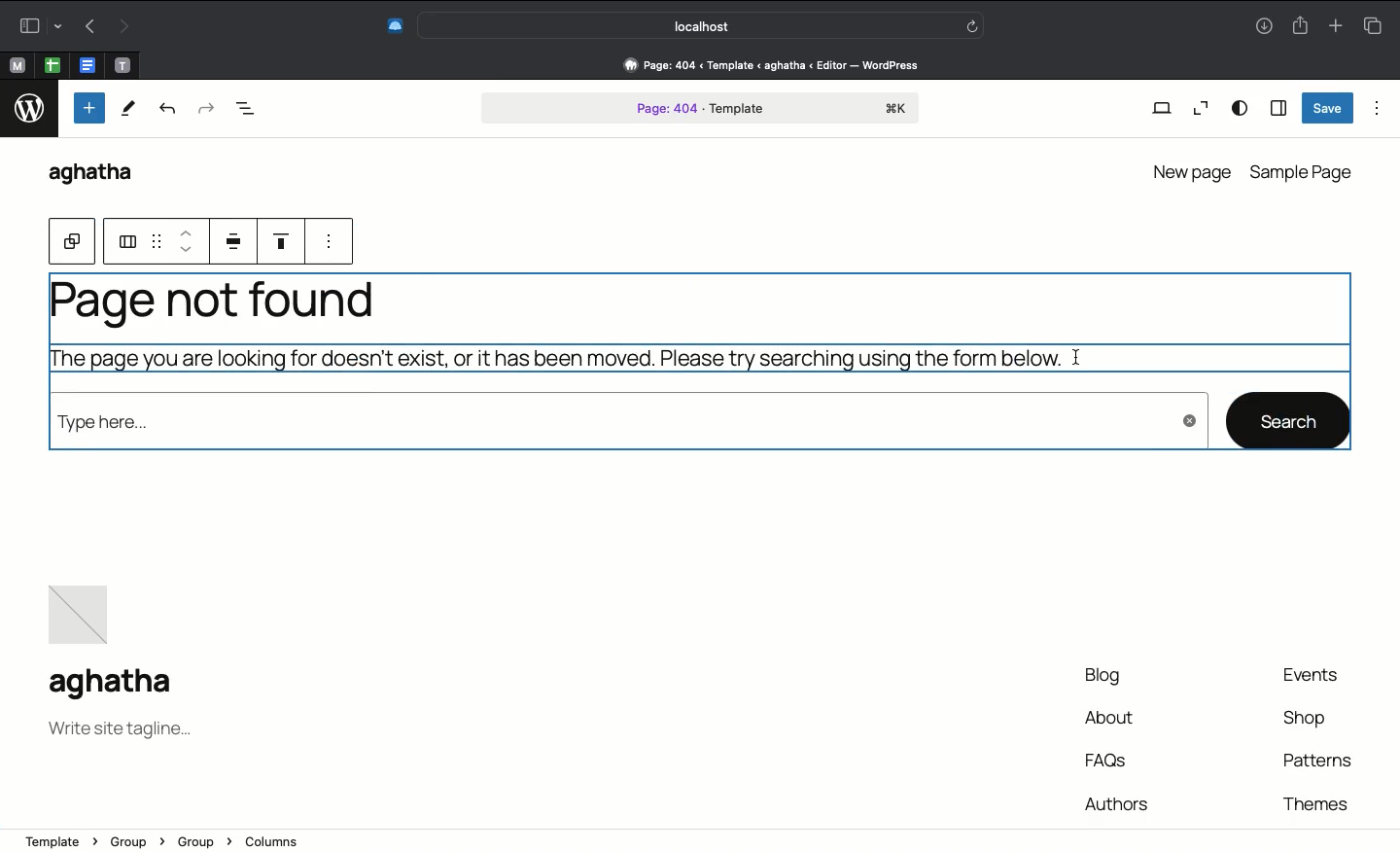  I want to click on FAQs, so click(1110, 760).